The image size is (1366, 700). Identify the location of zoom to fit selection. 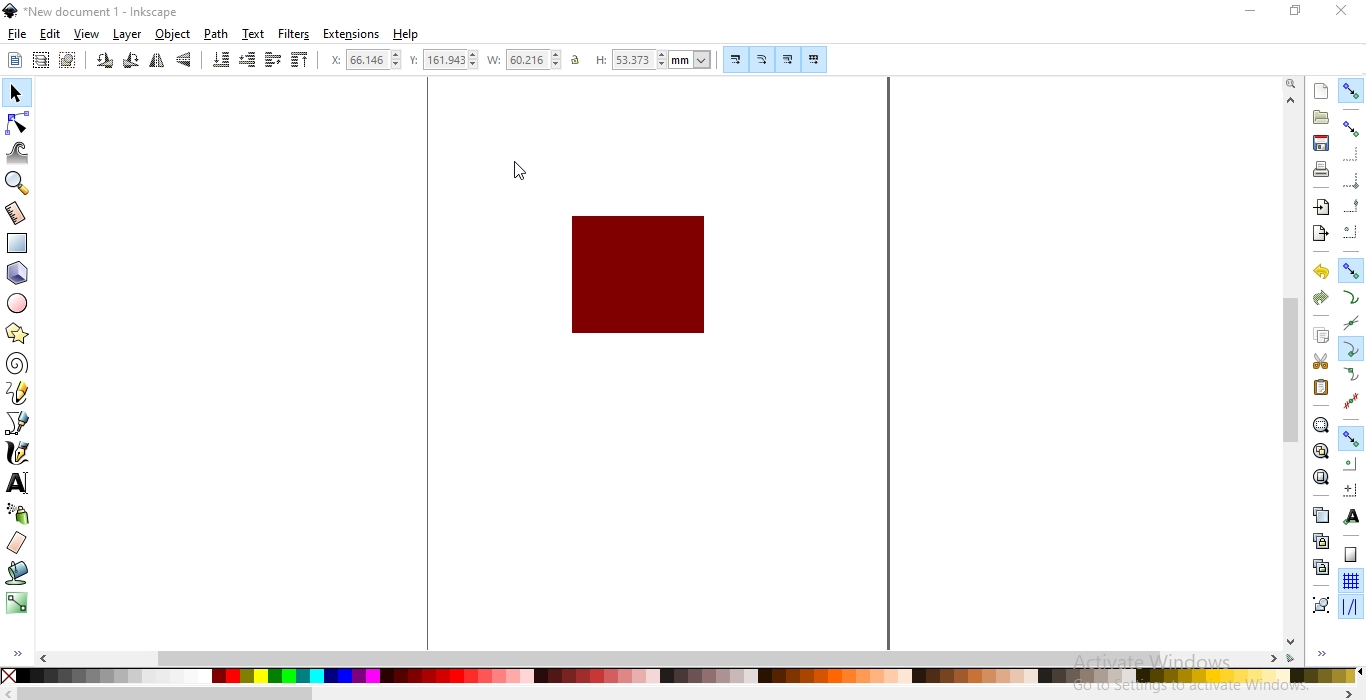
(1321, 424).